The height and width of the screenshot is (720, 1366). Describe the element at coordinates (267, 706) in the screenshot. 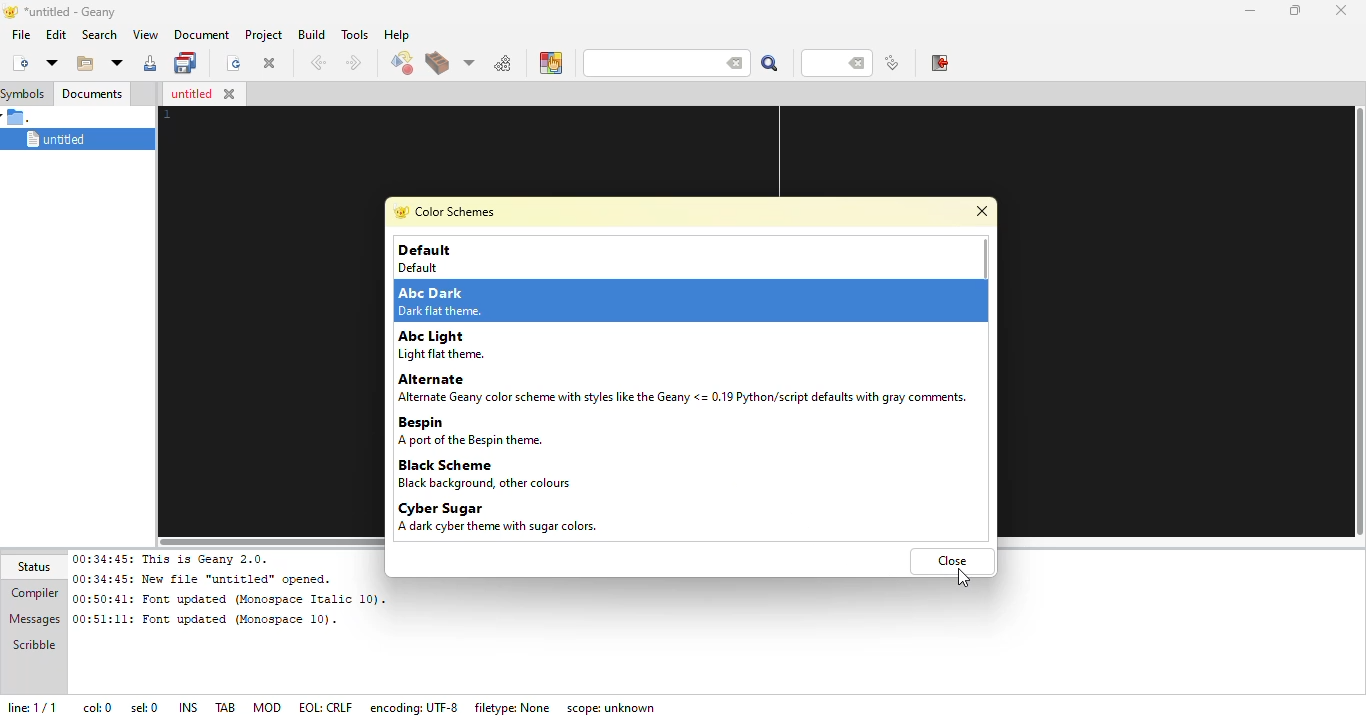

I see `mod` at that location.